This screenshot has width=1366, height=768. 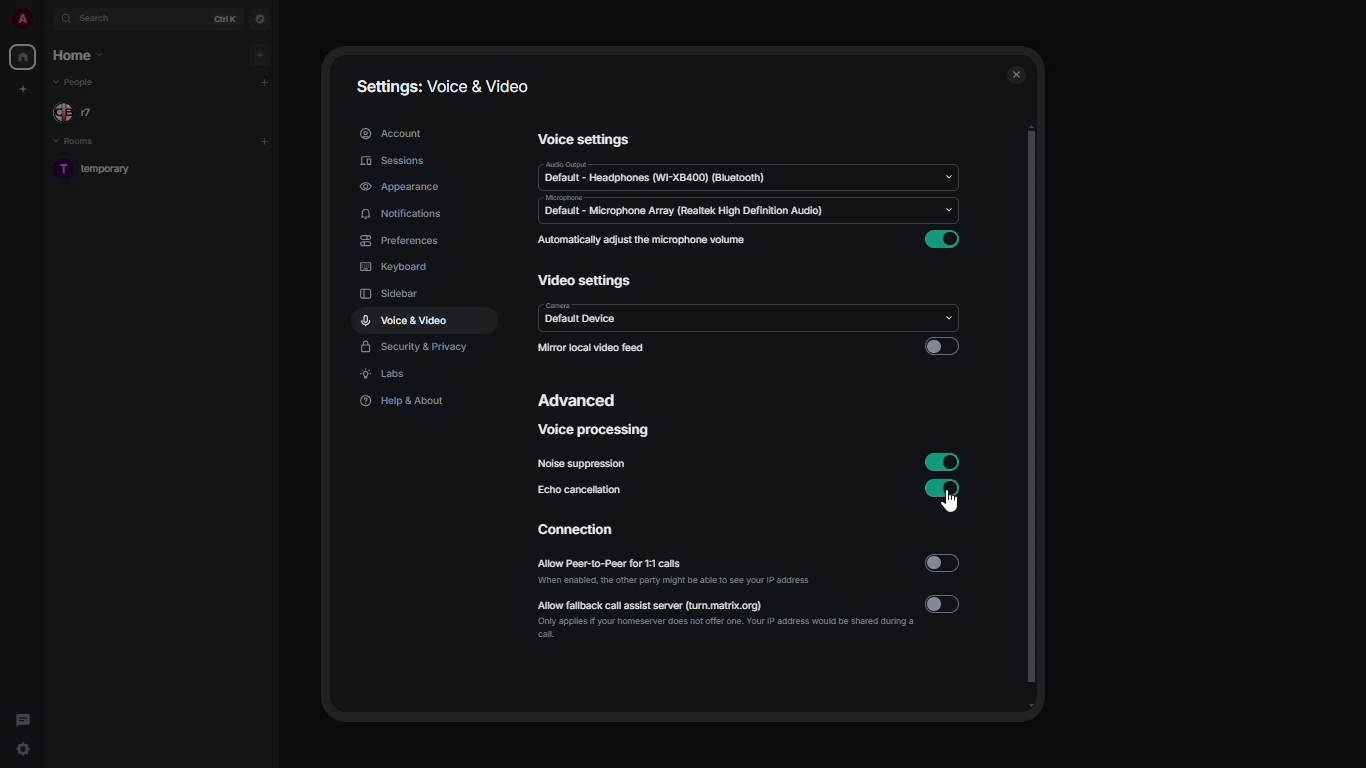 What do you see at coordinates (401, 241) in the screenshot?
I see `preferences` at bounding box center [401, 241].